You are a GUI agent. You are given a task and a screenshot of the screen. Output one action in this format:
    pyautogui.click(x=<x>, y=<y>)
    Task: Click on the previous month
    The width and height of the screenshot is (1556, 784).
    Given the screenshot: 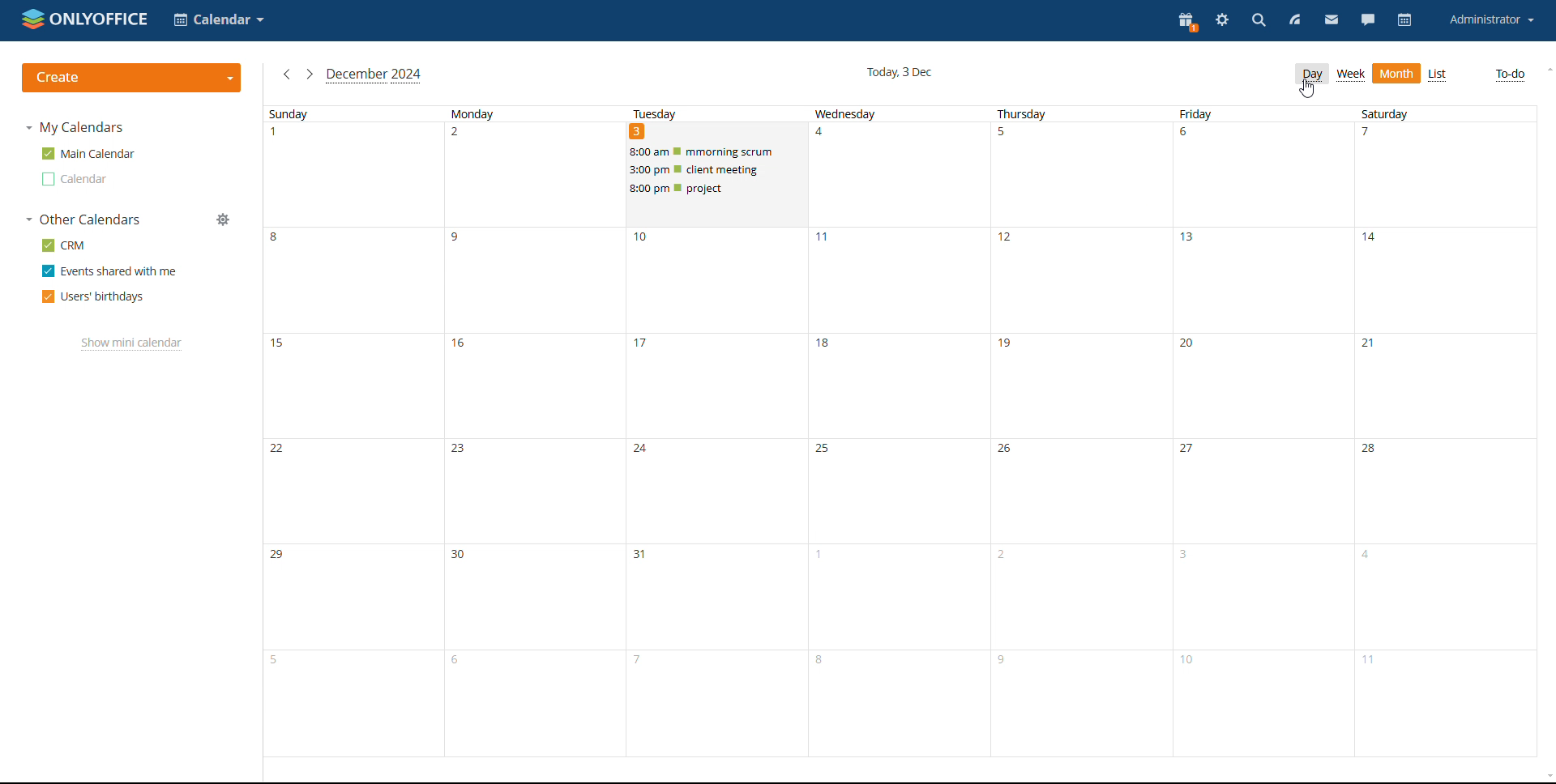 What is the action you would take?
    pyautogui.click(x=287, y=75)
    